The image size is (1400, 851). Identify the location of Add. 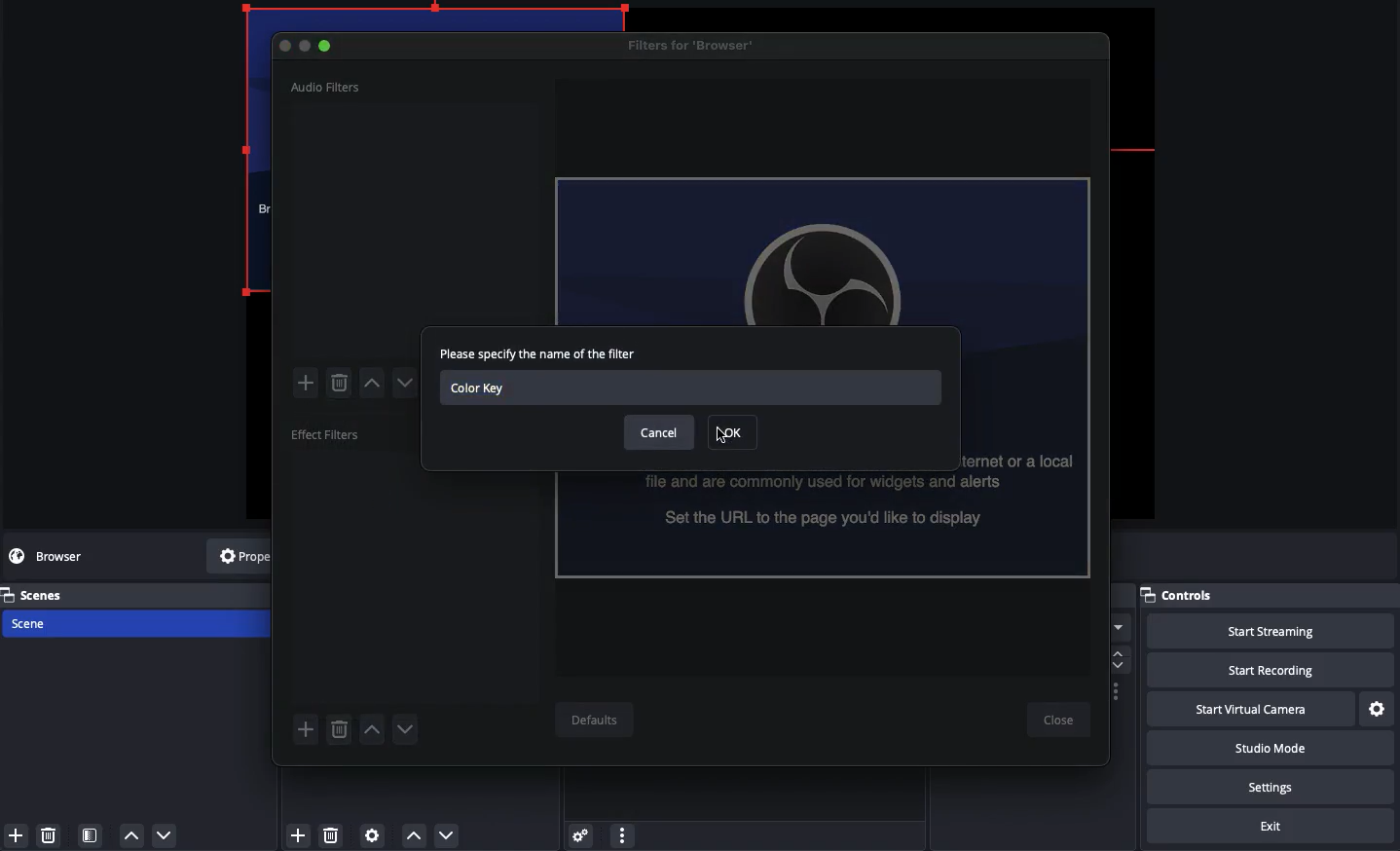
(309, 383).